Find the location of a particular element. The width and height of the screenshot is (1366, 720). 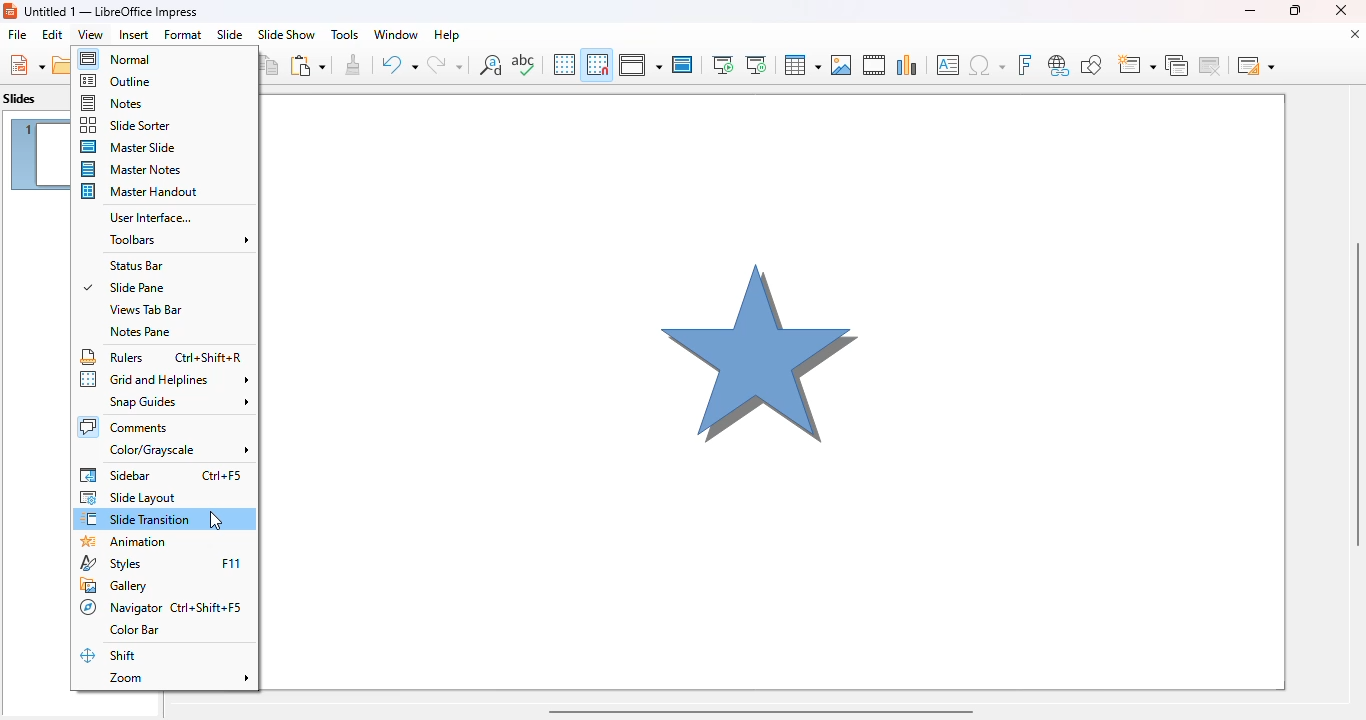

rulers is located at coordinates (161, 357).